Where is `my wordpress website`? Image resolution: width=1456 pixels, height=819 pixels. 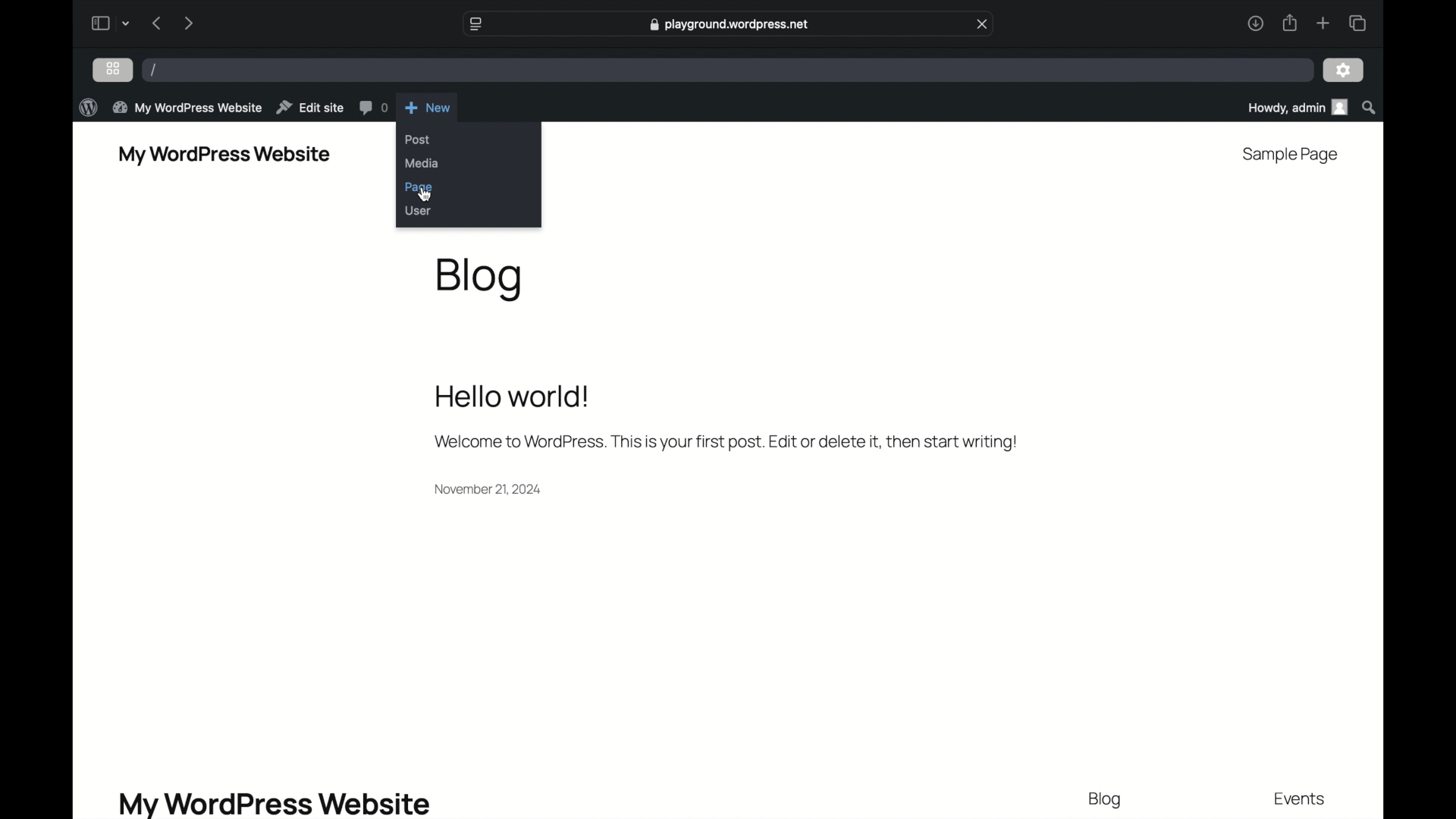
my wordpress website is located at coordinates (224, 155).